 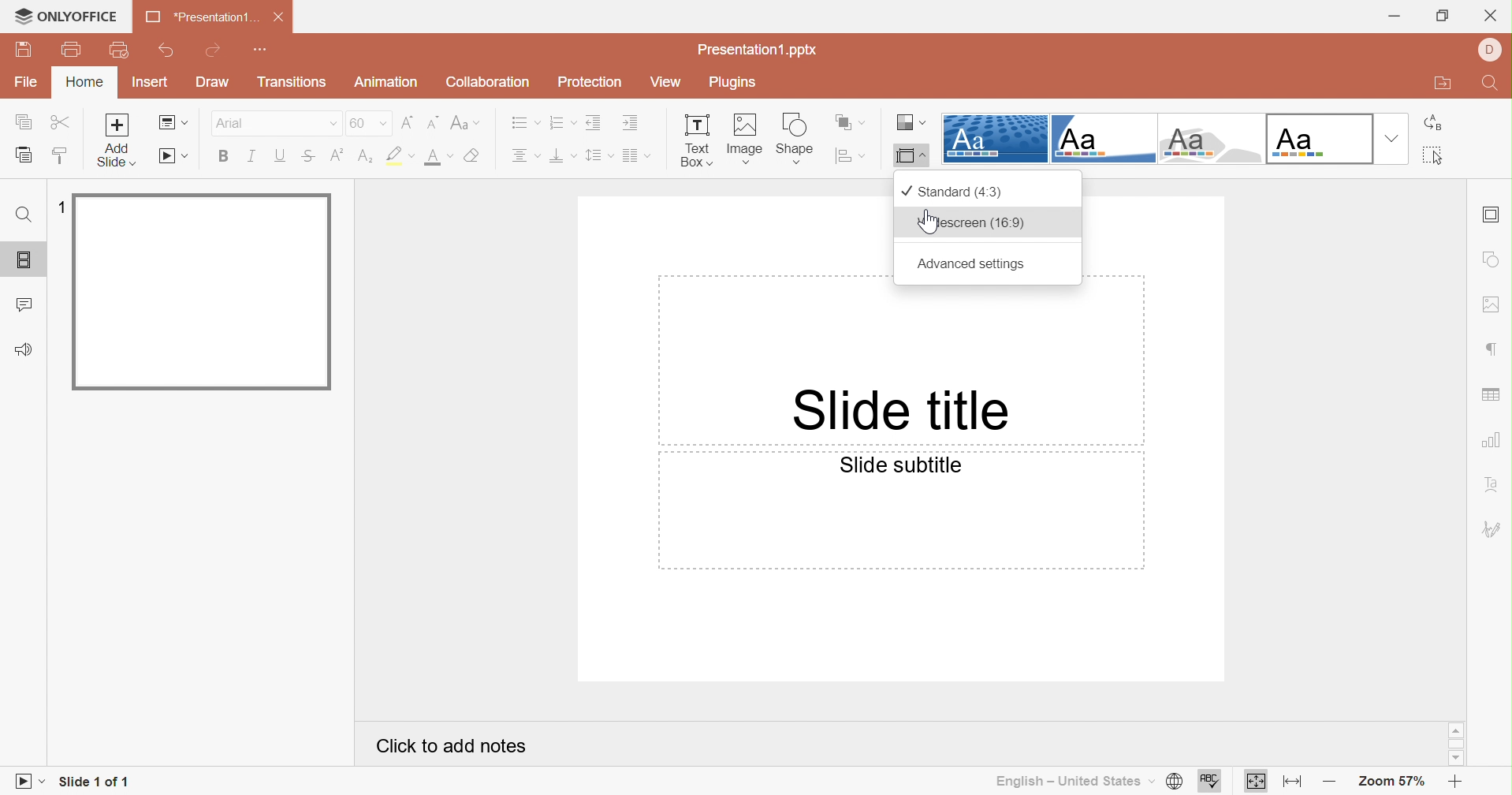 What do you see at coordinates (448, 747) in the screenshot?
I see `Click to add notes` at bounding box center [448, 747].